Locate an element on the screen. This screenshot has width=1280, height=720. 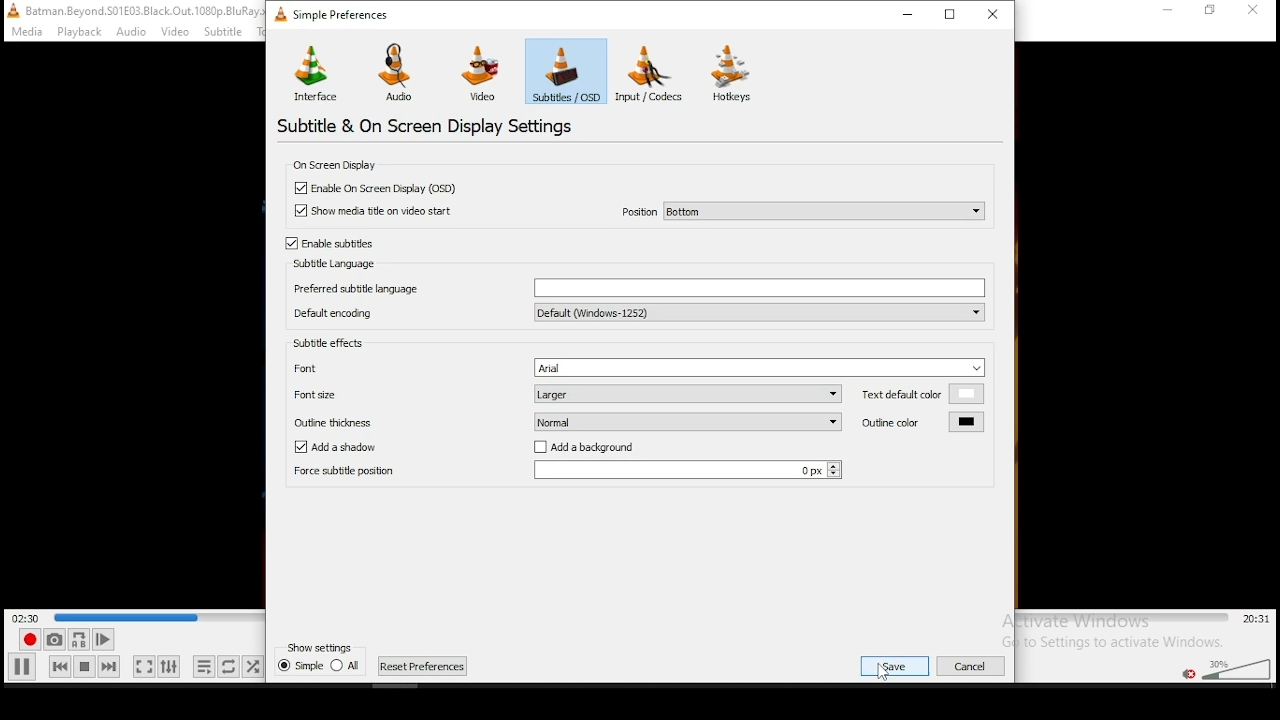
cancel is located at coordinates (972, 666).